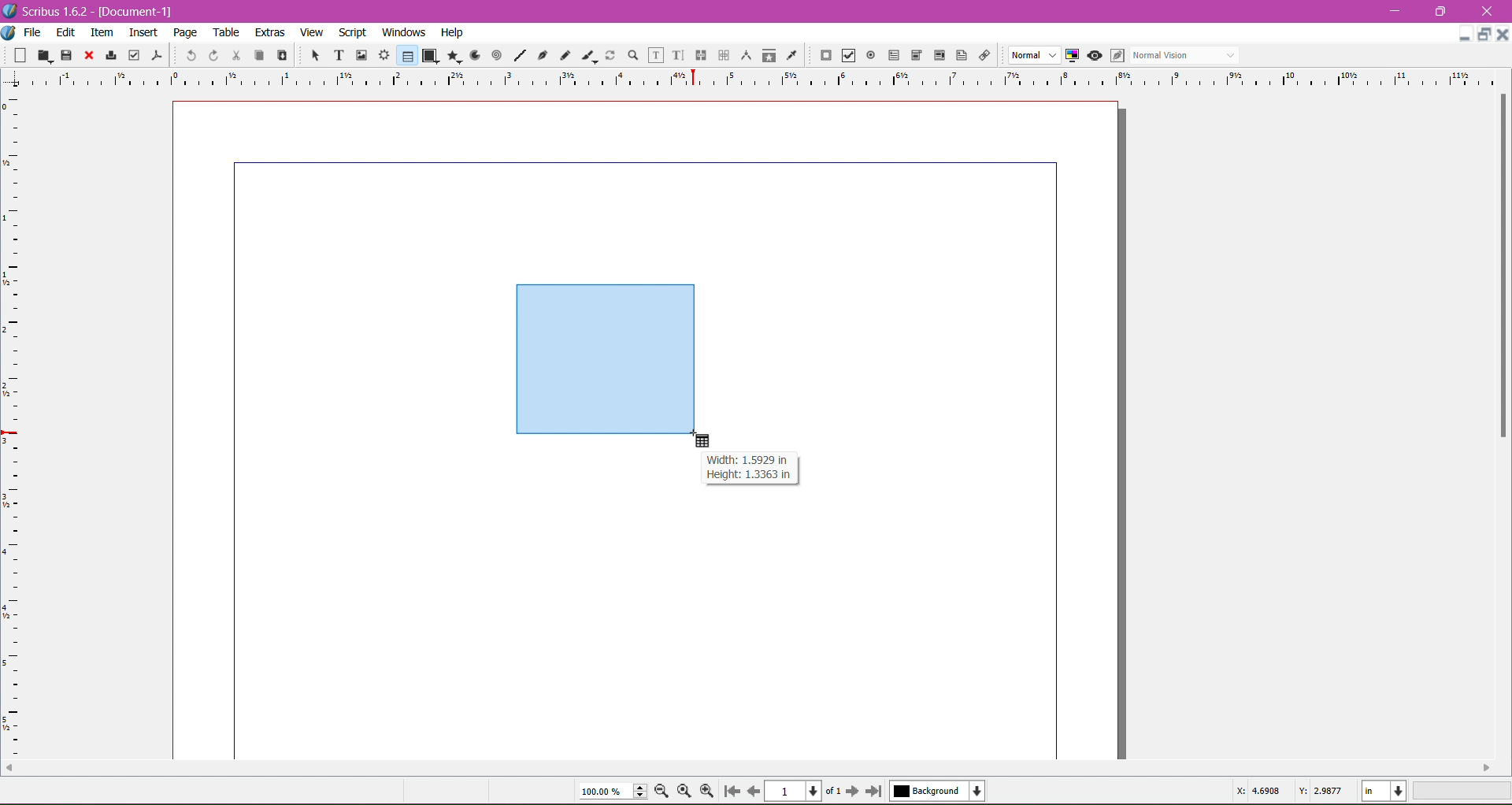 The width and height of the screenshot is (1512, 805). Describe the element at coordinates (1070, 54) in the screenshot. I see `Toggle Color Management System` at that location.